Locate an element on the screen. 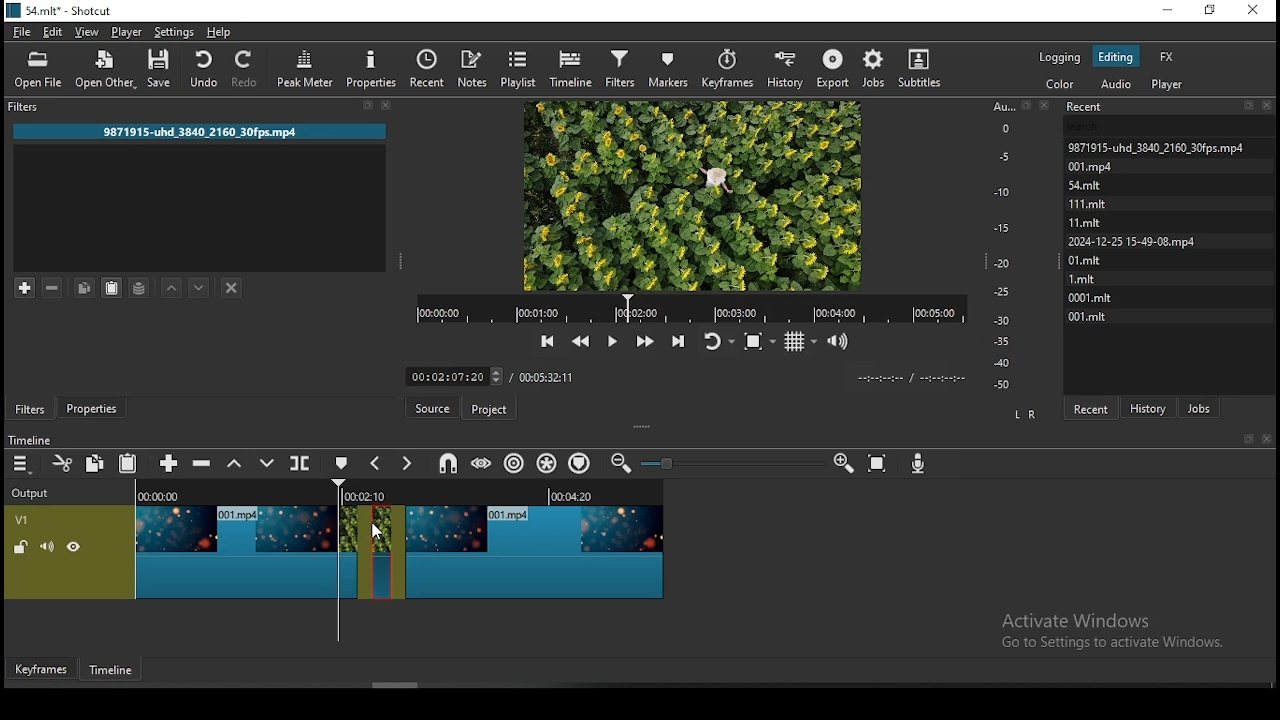 This screenshot has width=1280, height=720. history is located at coordinates (786, 69).